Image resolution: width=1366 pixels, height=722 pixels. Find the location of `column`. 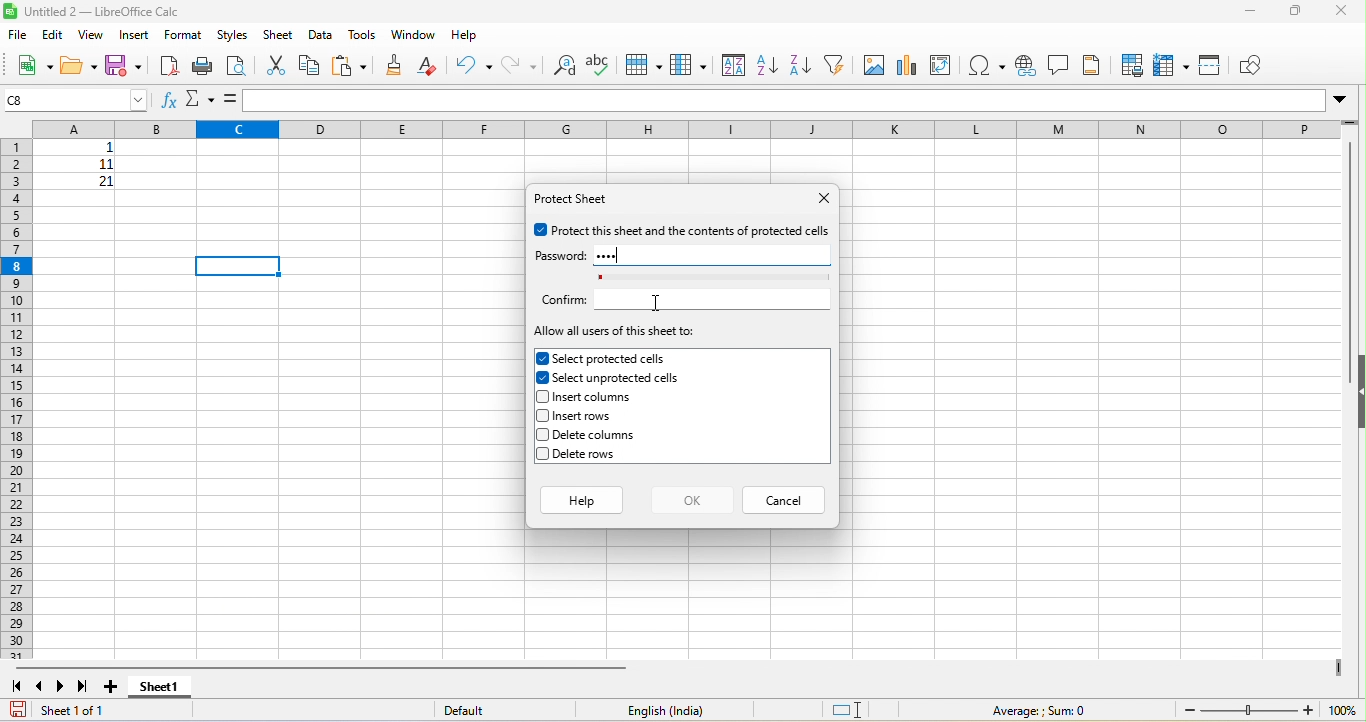

column is located at coordinates (688, 64).